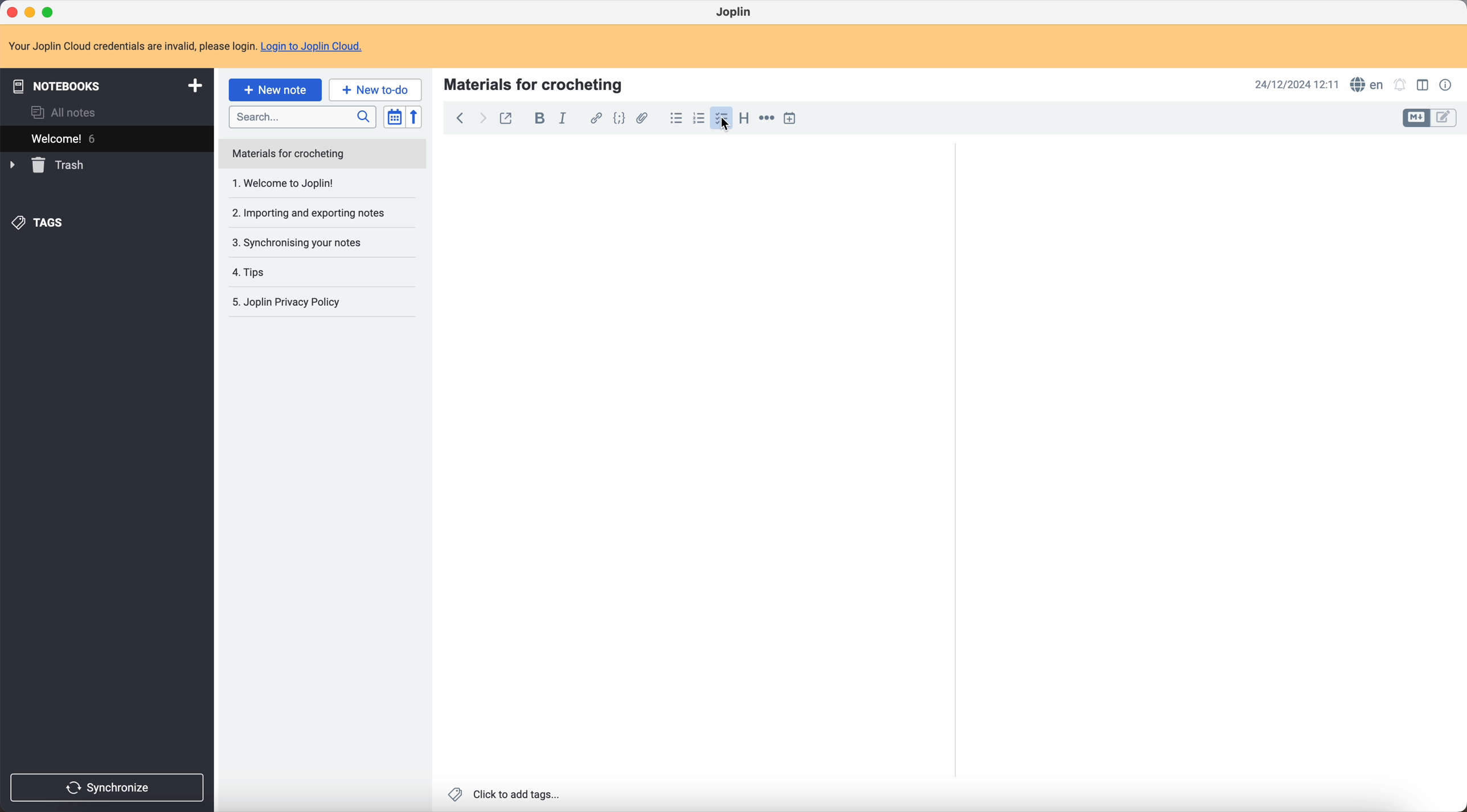 This screenshot has width=1467, height=812. What do you see at coordinates (416, 117) in the screenshot?
I see `reverse sort order` at bounding box center [416, 117].